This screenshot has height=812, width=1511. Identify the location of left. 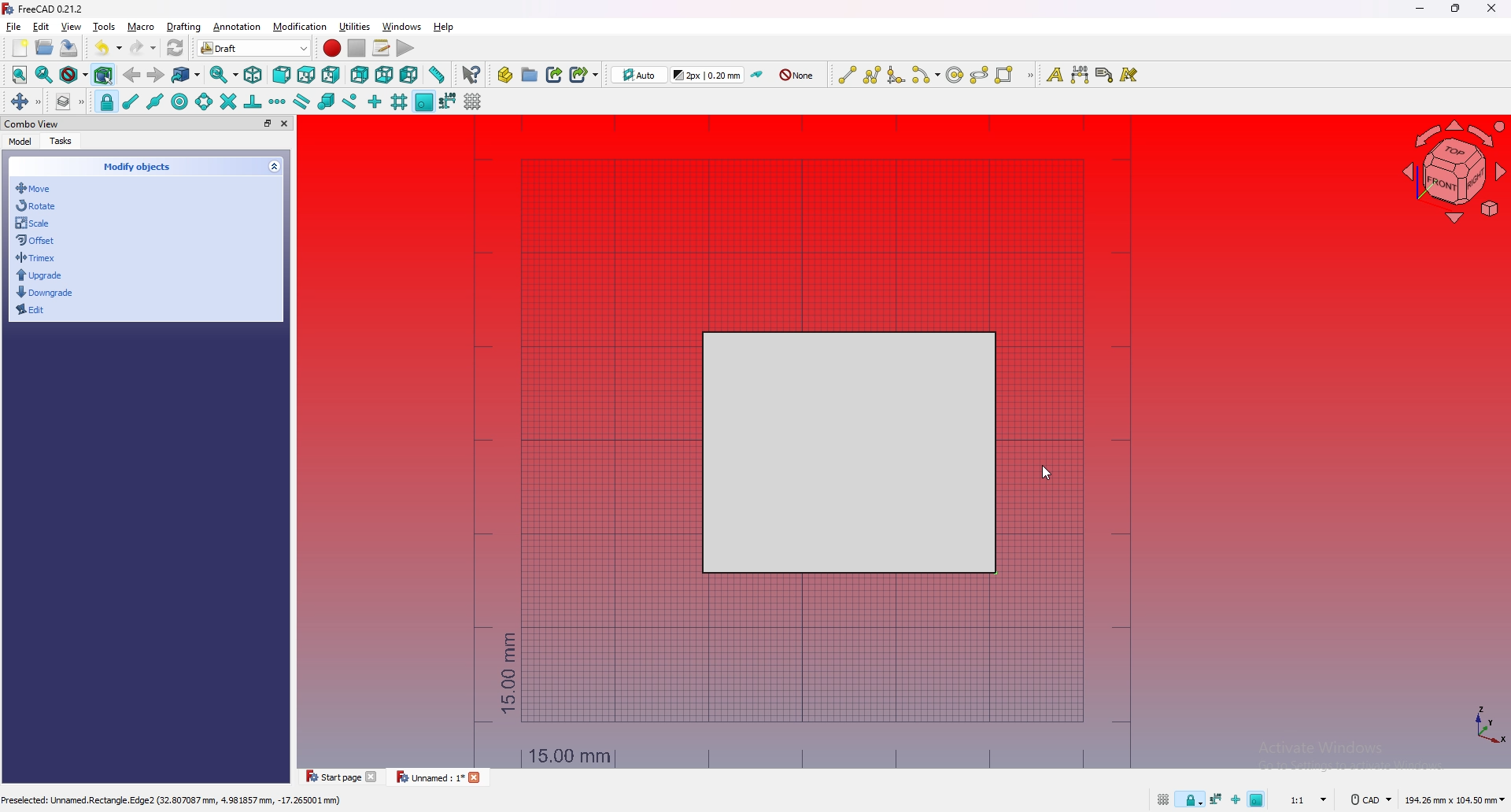
(408, 76).